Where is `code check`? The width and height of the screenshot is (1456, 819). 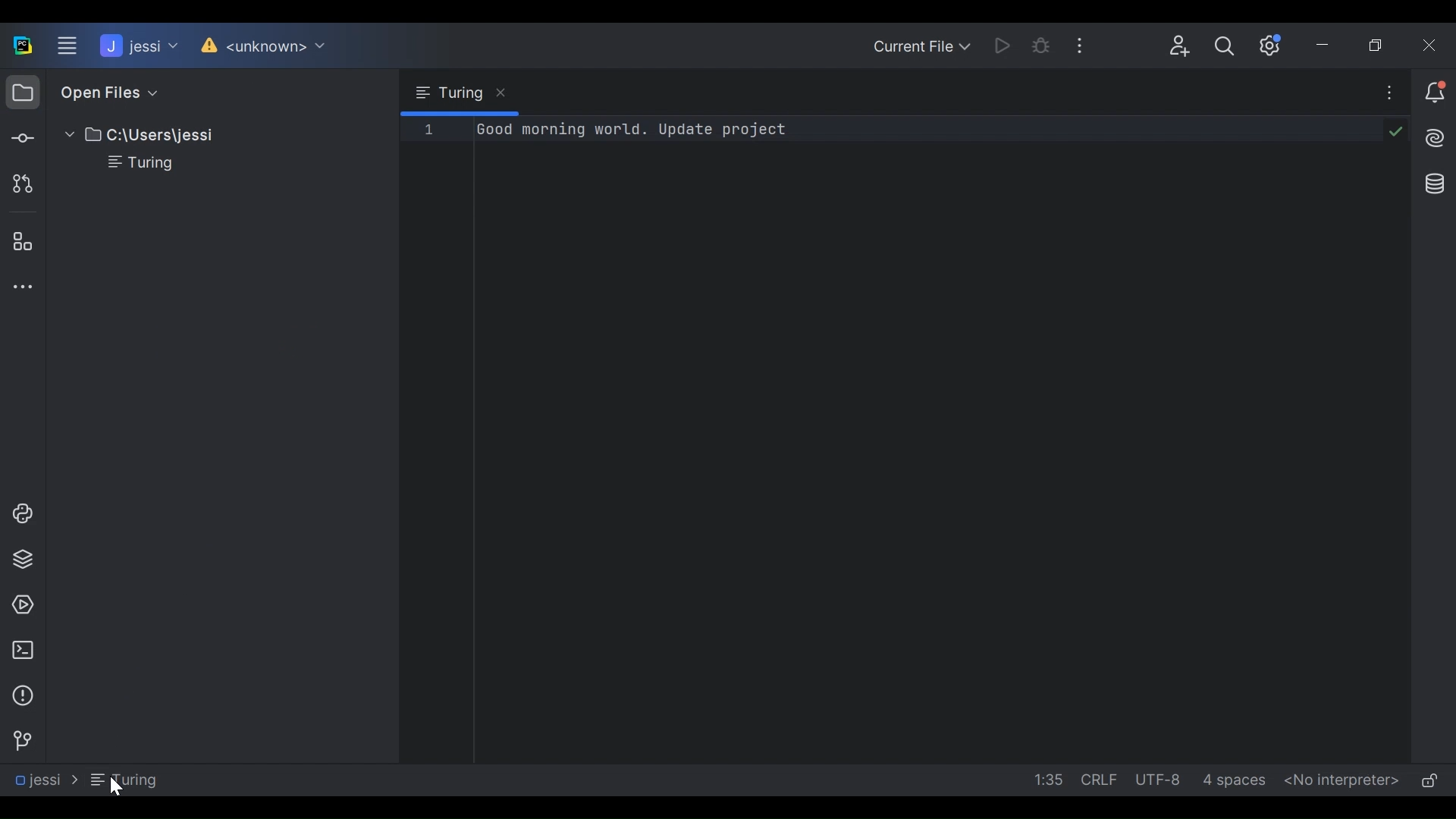 code check is located at coordinates (1396, 131).